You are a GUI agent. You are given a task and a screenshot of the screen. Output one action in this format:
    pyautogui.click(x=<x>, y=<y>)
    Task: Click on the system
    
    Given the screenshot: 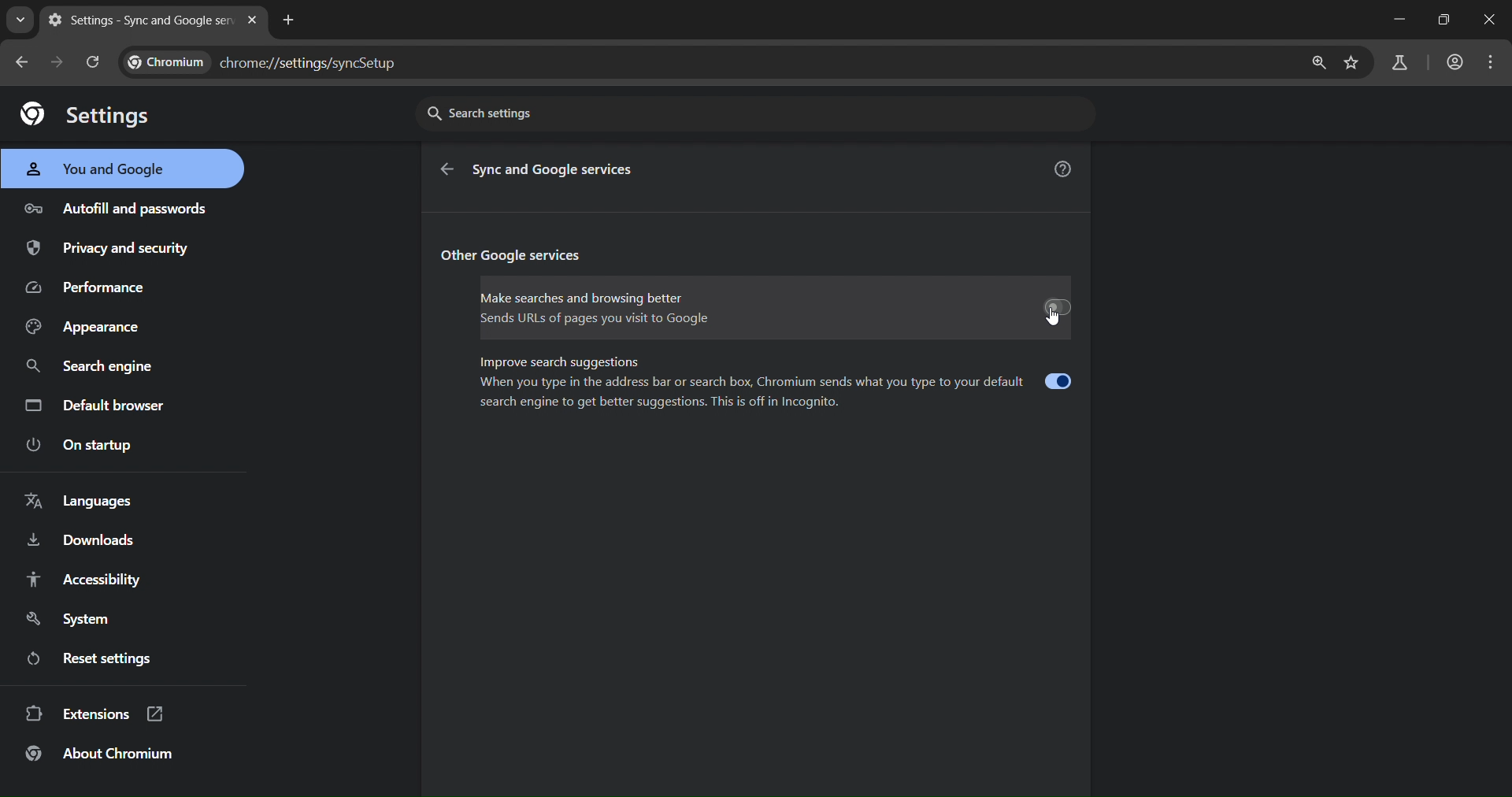 What is the action you would take?
    pyautogui.click(x=72, y=621)
    